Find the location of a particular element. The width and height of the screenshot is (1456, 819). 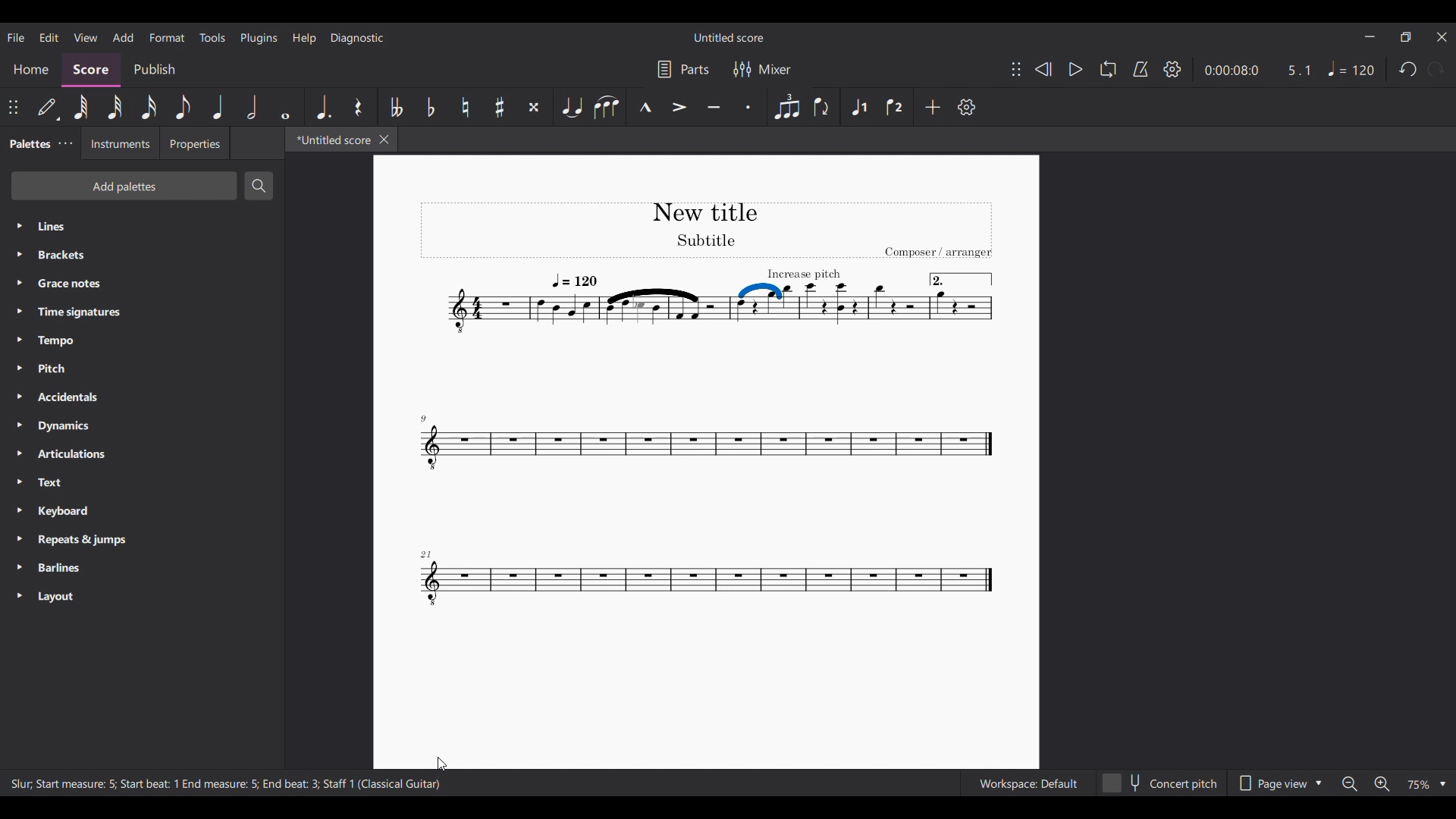

Undo is located at coordinates (1407, 69).